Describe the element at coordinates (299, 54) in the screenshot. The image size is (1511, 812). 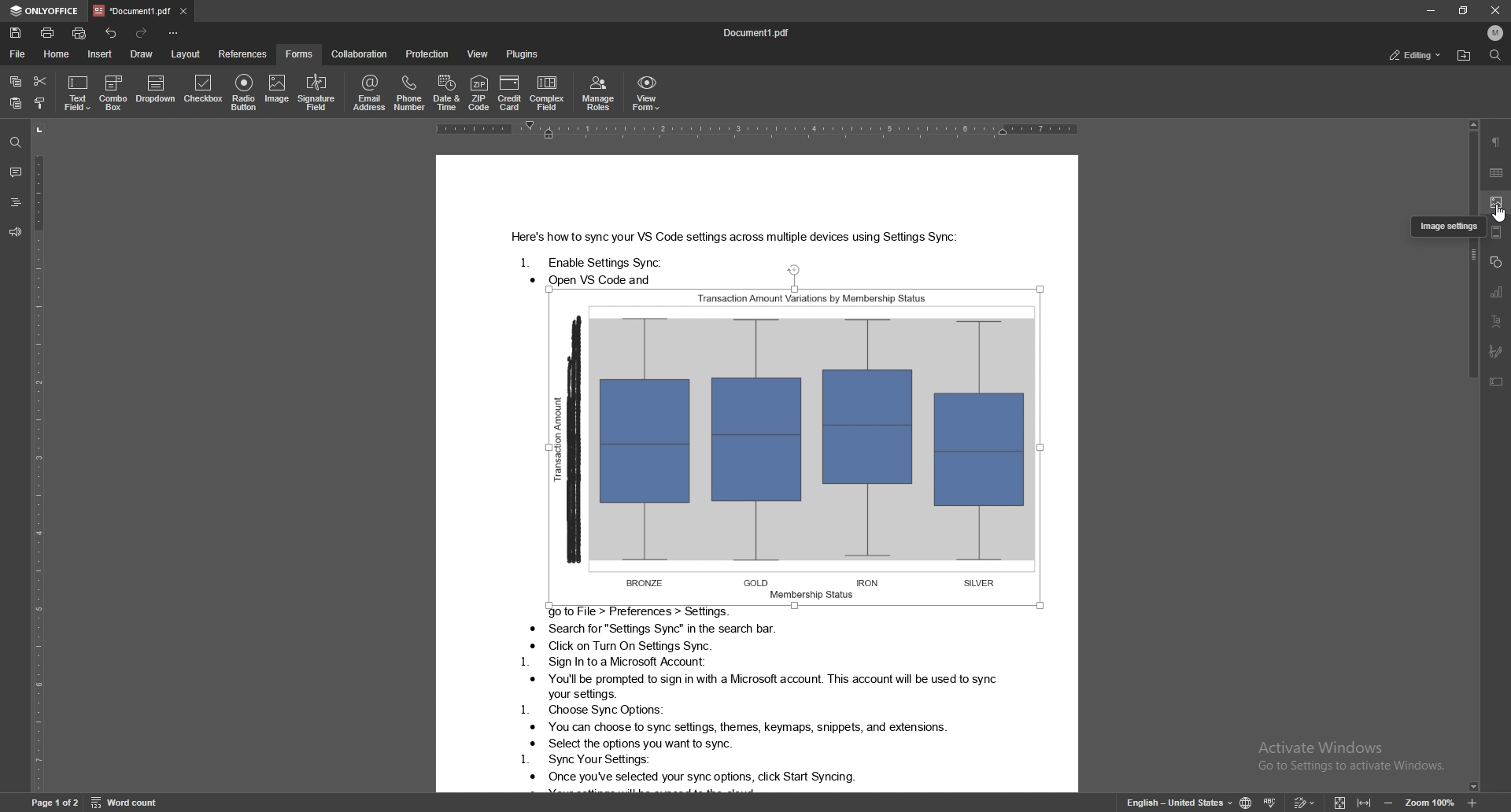
I see `forms` at that location.